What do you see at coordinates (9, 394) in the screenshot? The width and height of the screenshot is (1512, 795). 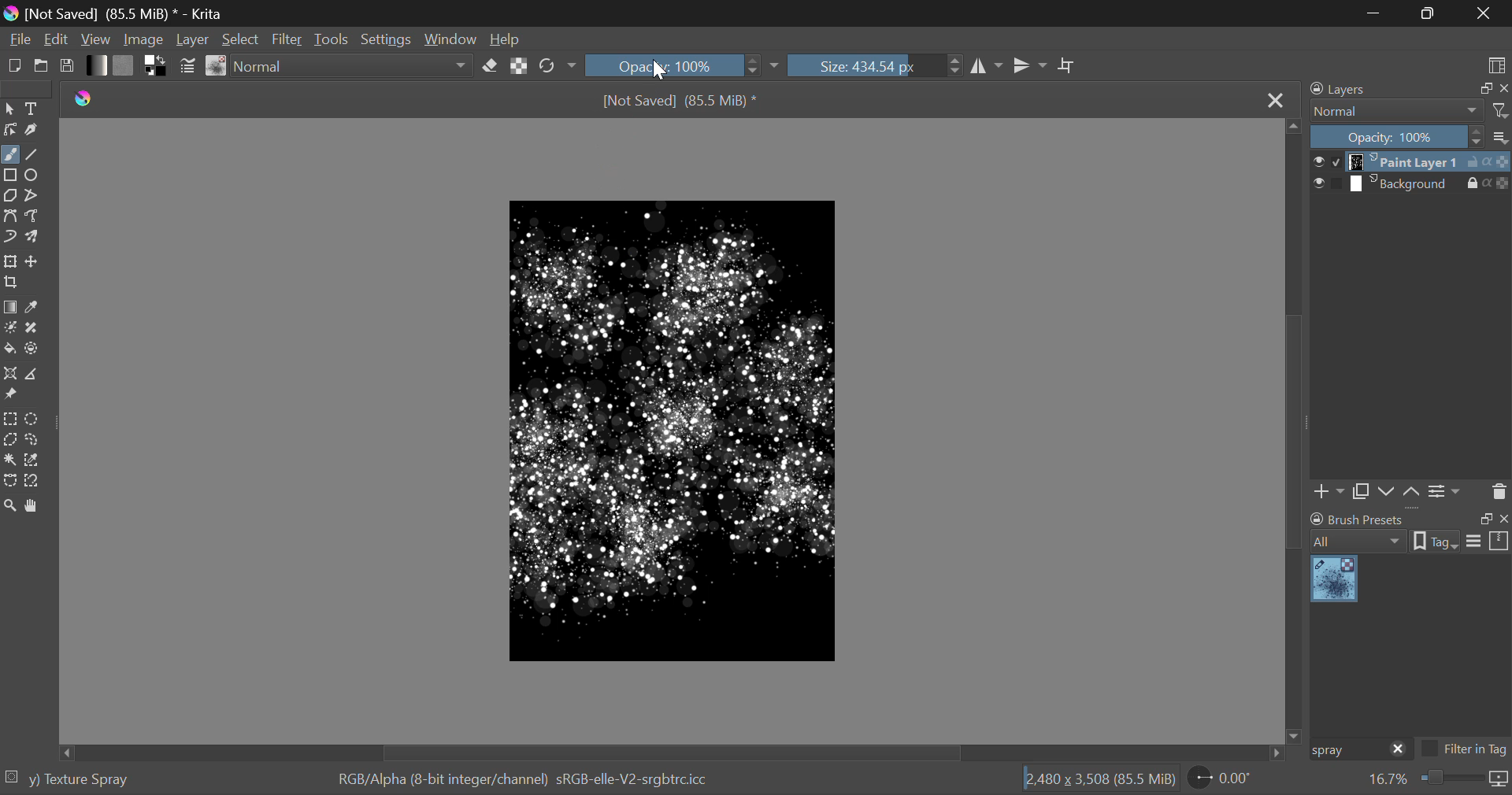 I see `Reference Images` at bounding box center [9, 394].